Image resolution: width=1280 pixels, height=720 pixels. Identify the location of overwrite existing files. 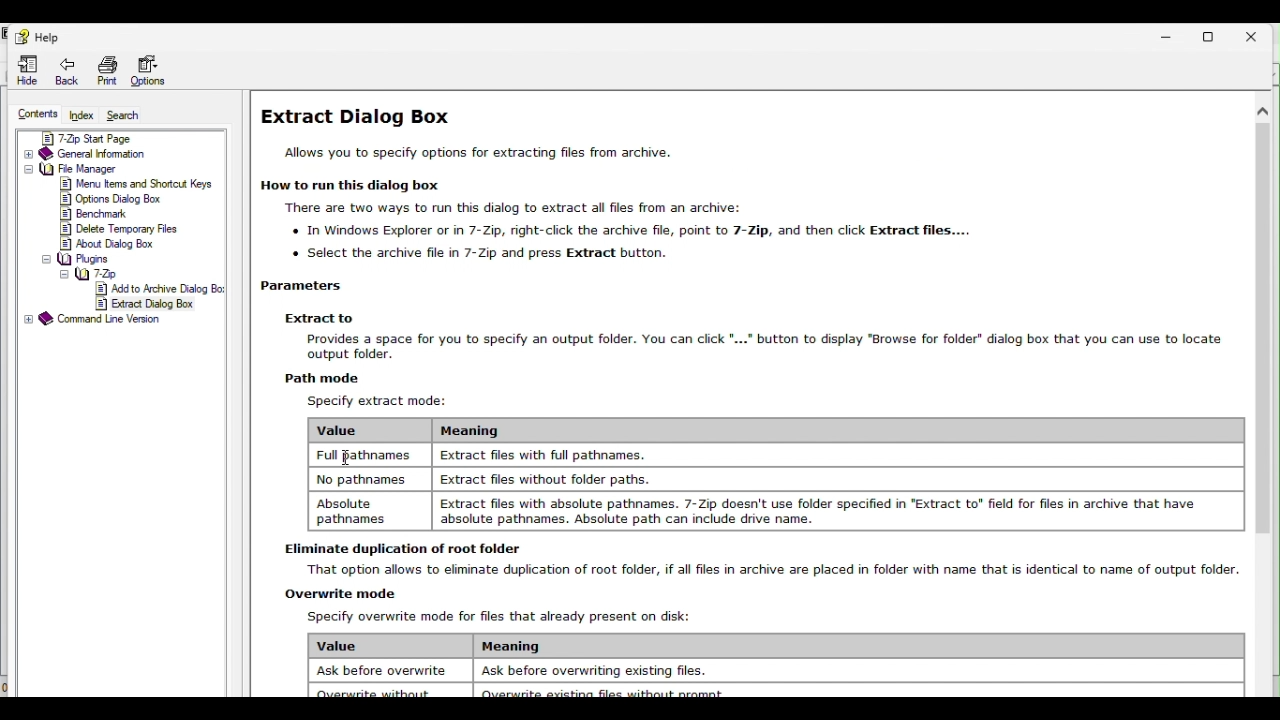
(598, 691).